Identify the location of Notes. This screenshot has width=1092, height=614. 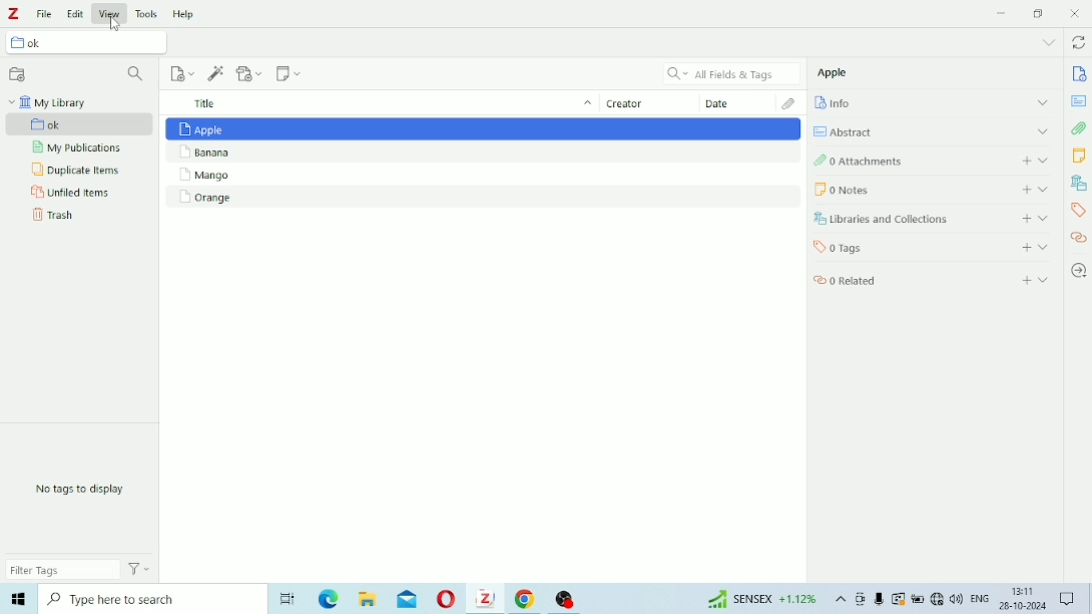
(1081, 157).